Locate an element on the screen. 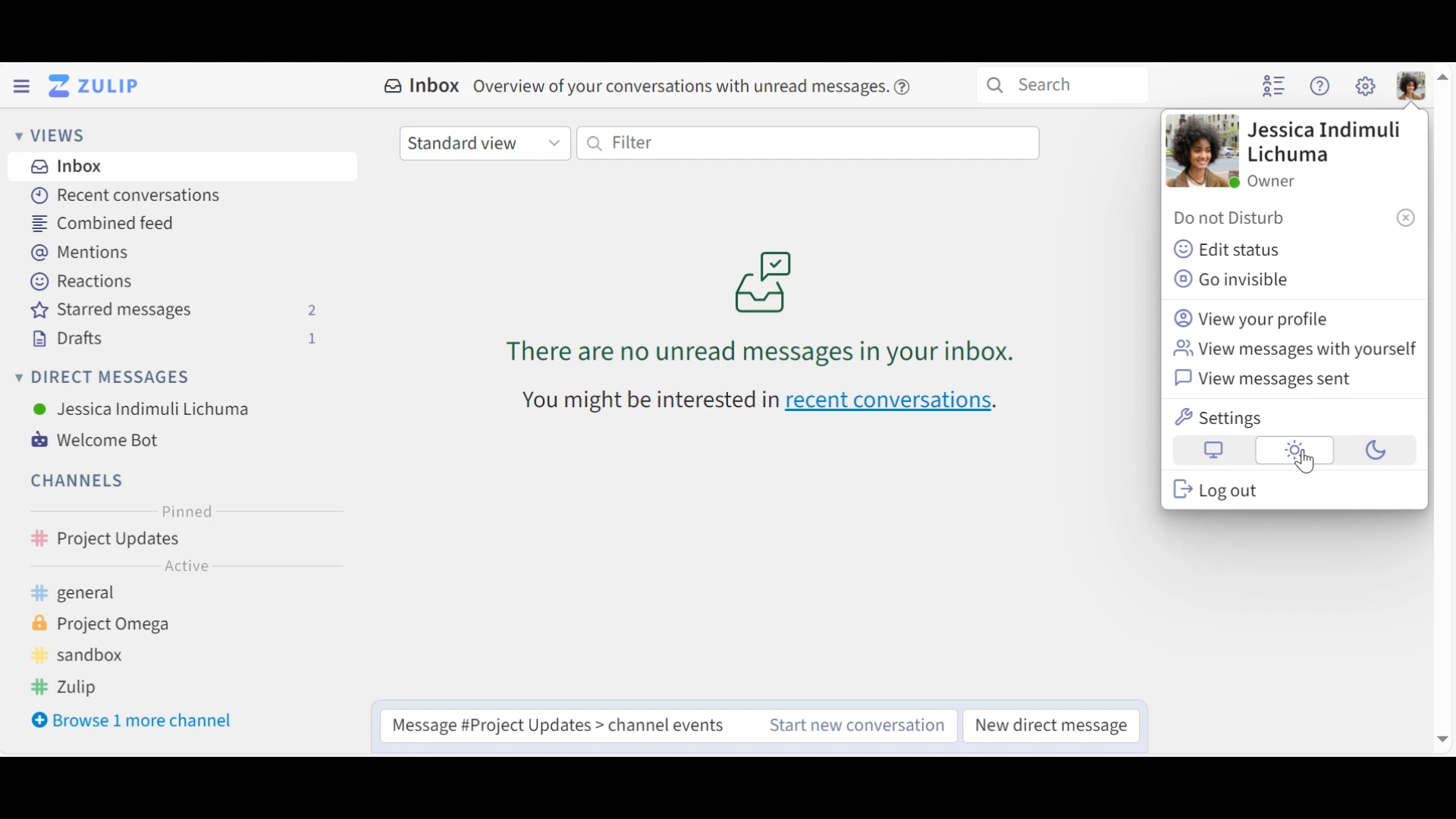  recent conversations. is located at coordinates (899, 404).